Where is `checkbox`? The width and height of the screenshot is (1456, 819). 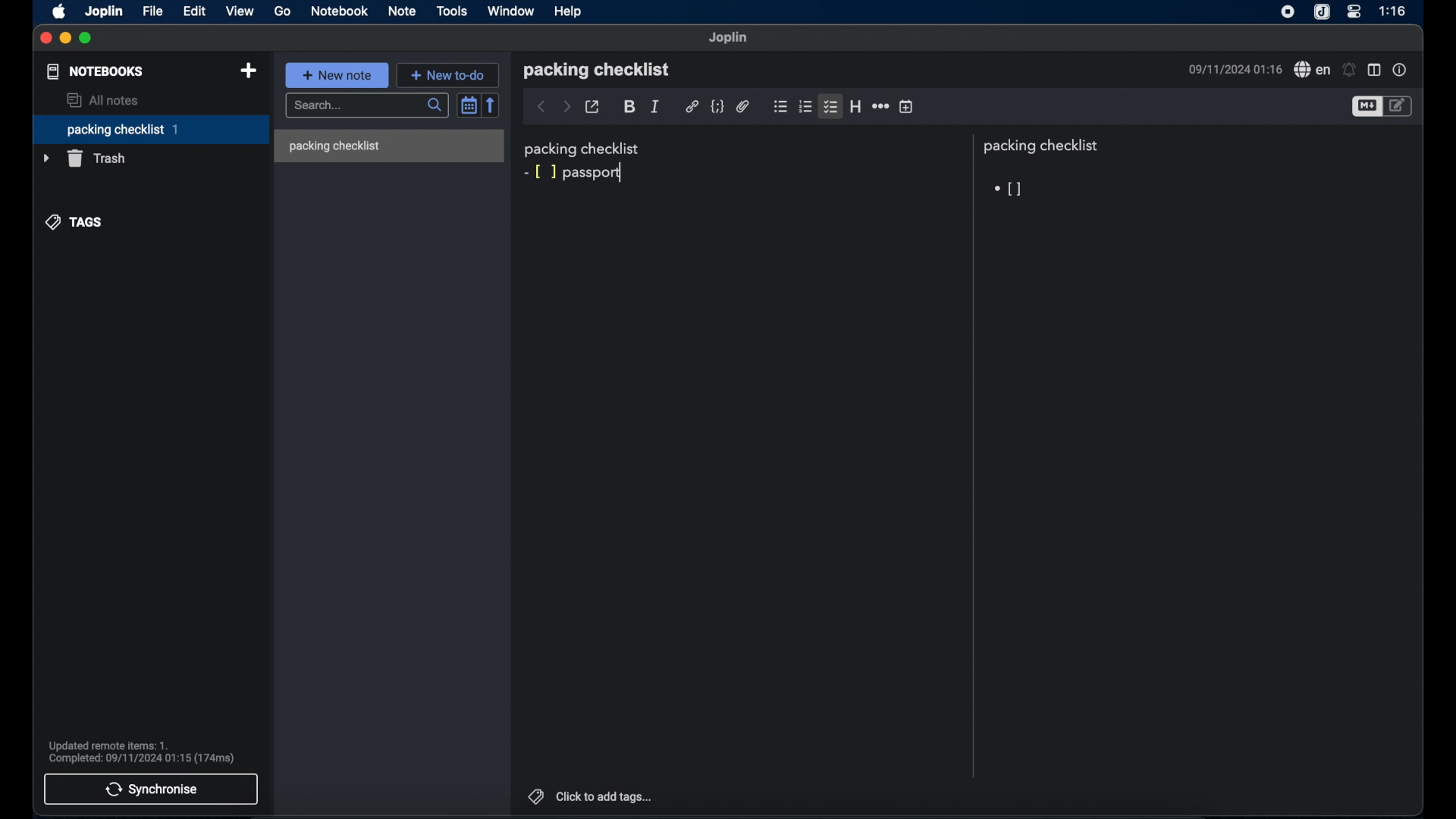 checkbox is located at coordinates (1006, 189).